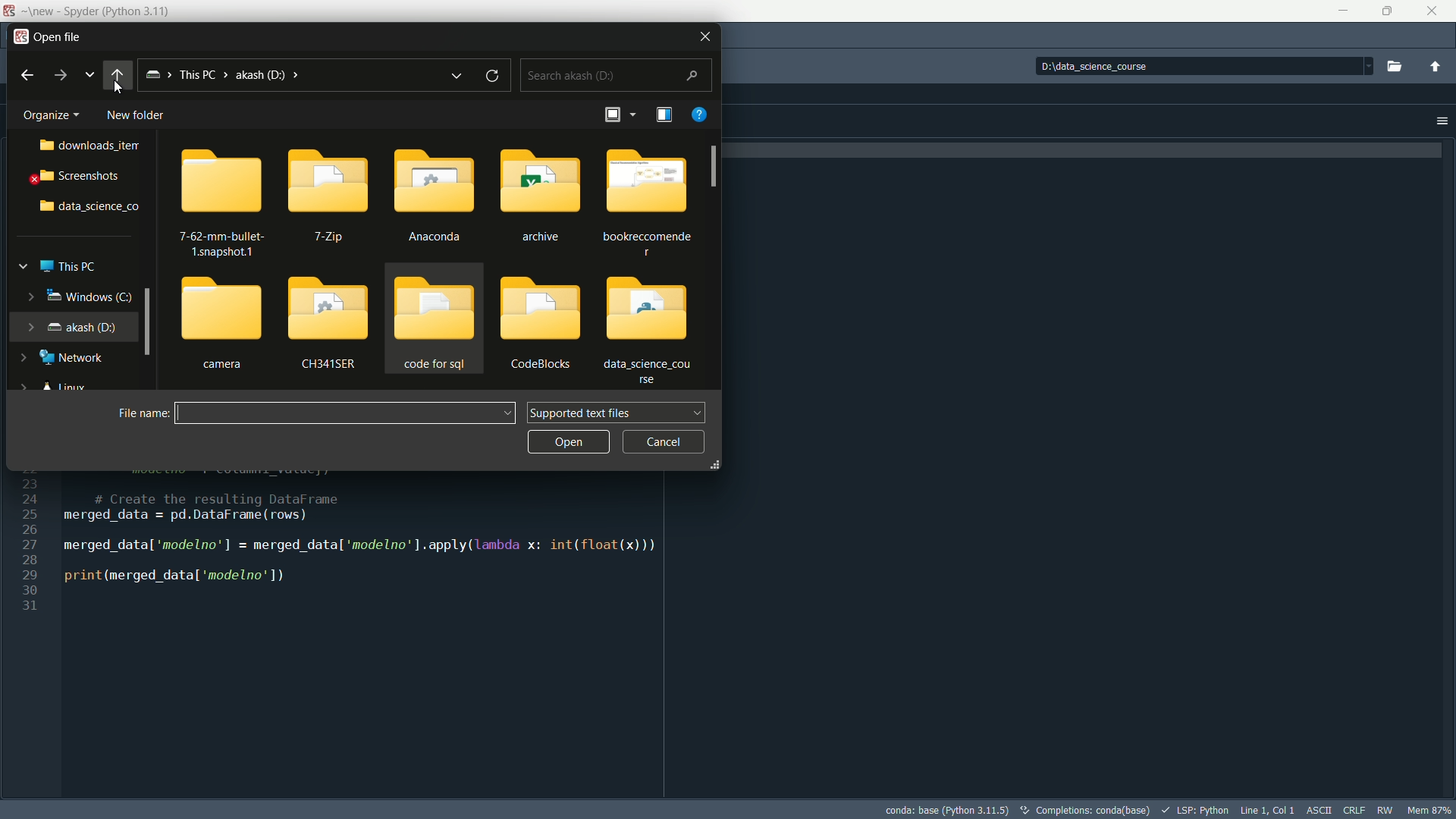 The width and height of the screenshot is (1456, 819). I want to click on 7-Zip, so click(334, 199).